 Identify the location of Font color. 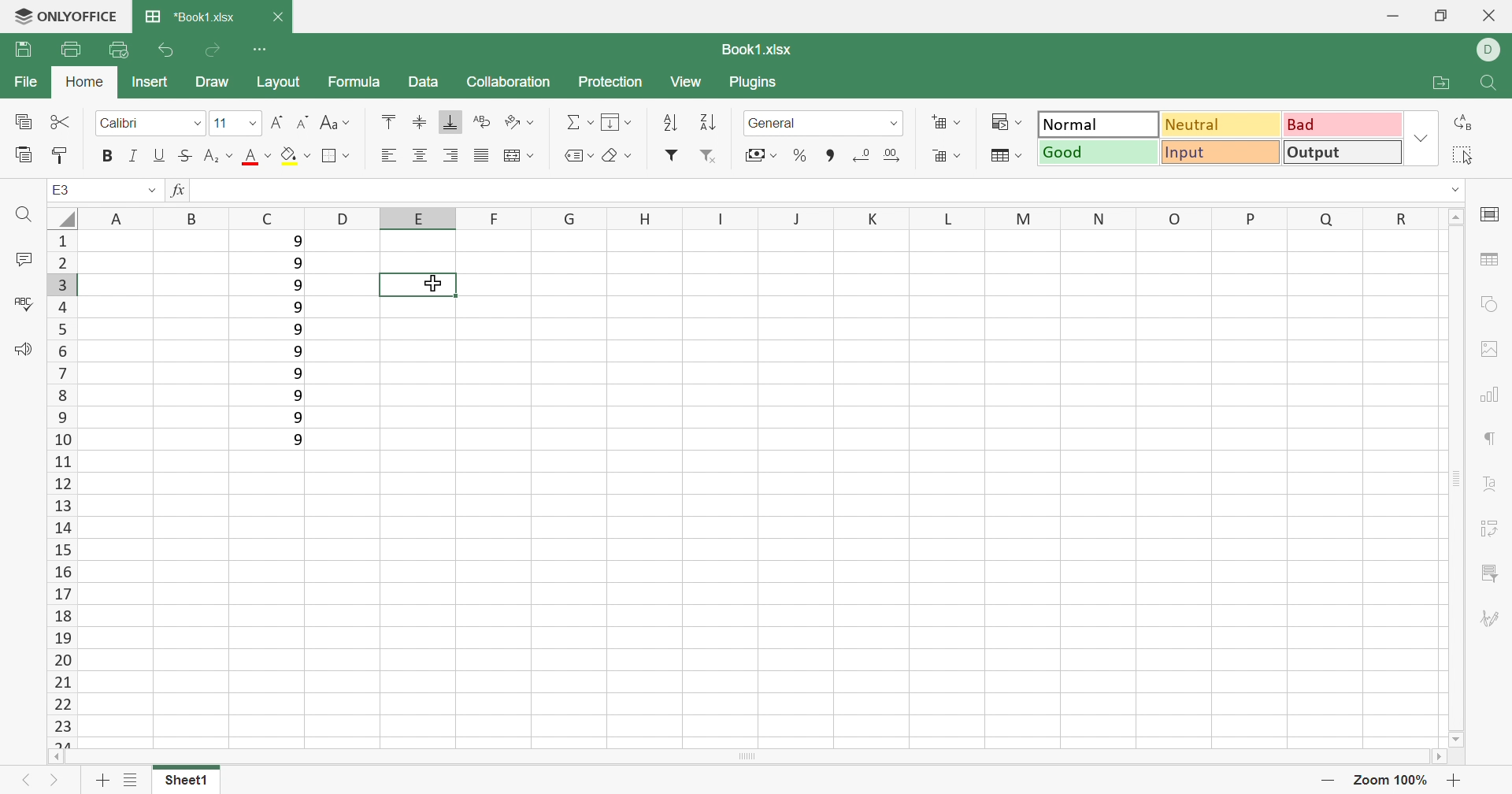
(256, 158).